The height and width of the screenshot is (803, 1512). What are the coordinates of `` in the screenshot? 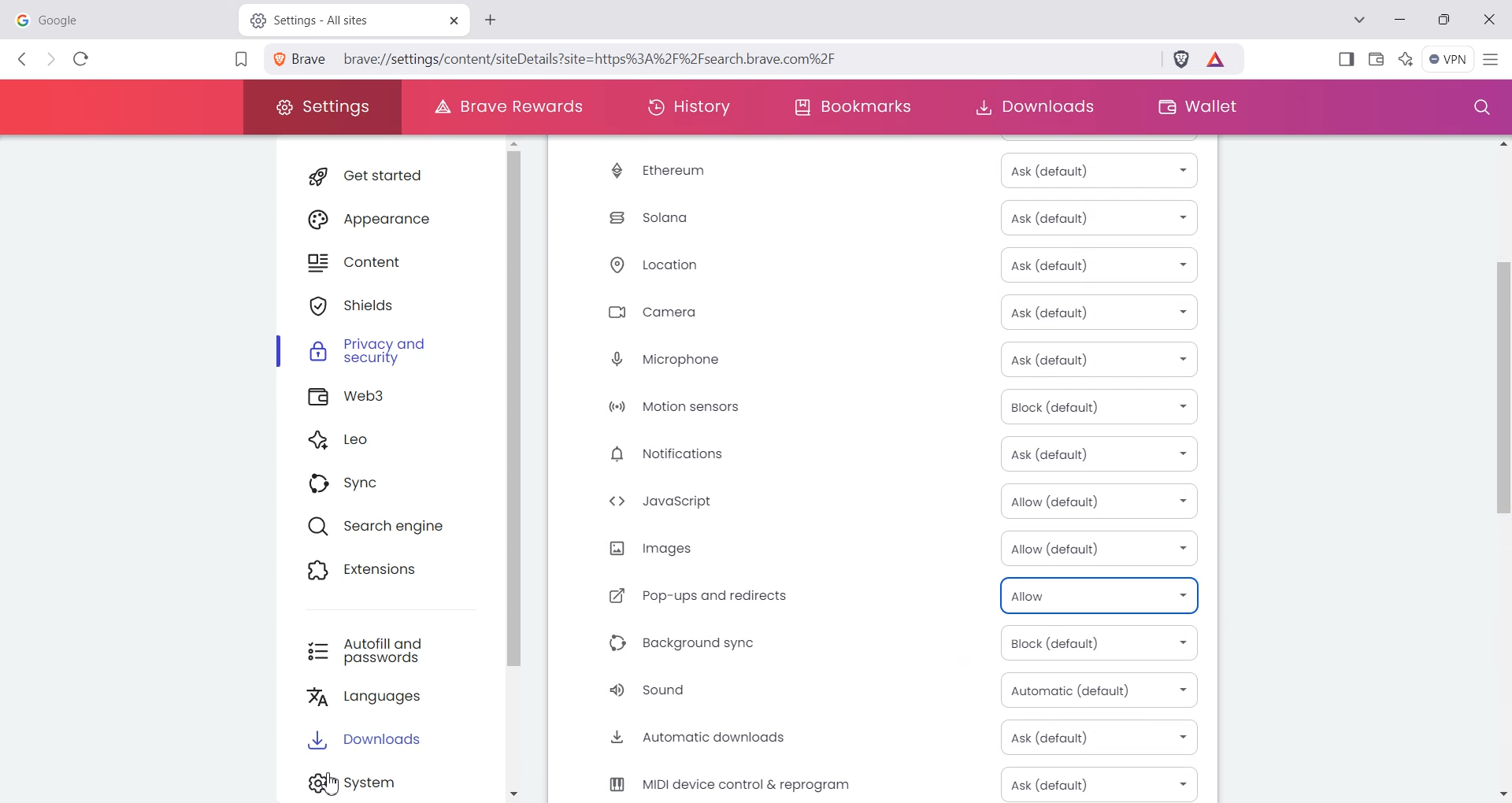 It's located at (1448, 59).